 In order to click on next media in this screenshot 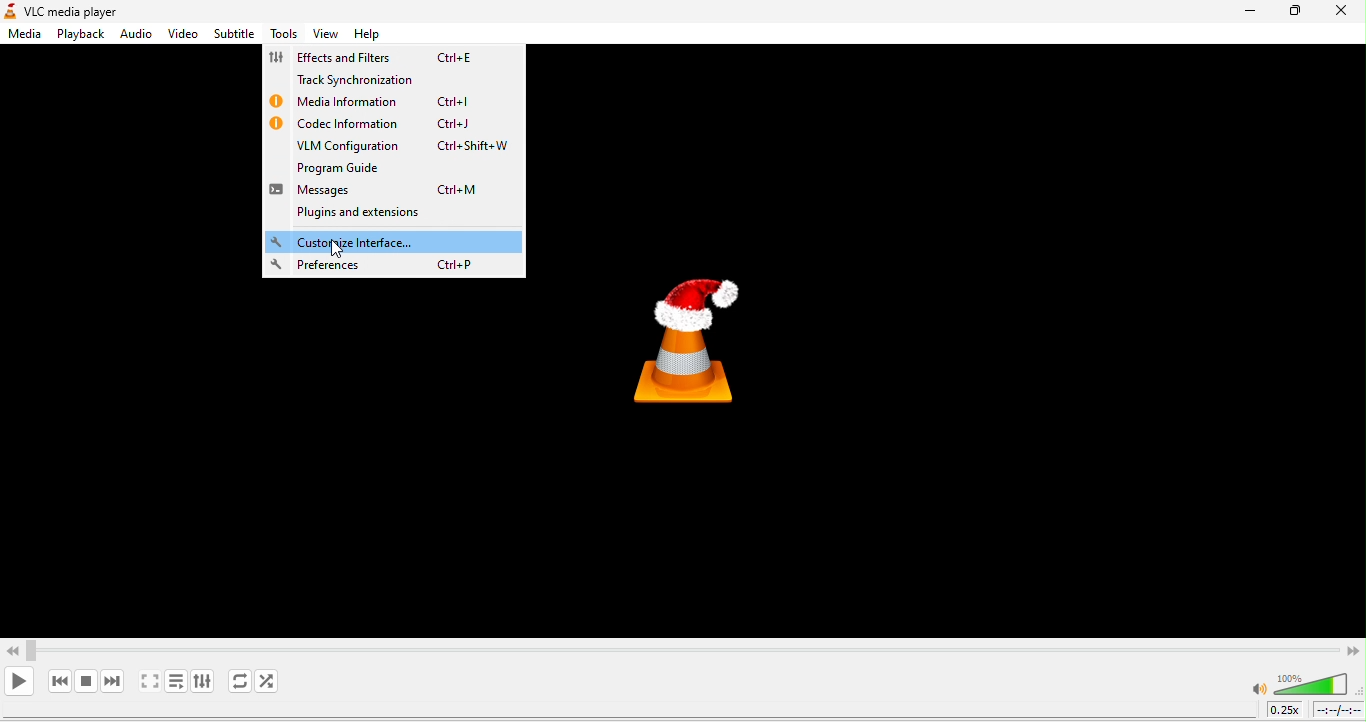, I will do `click(111, 681)`.